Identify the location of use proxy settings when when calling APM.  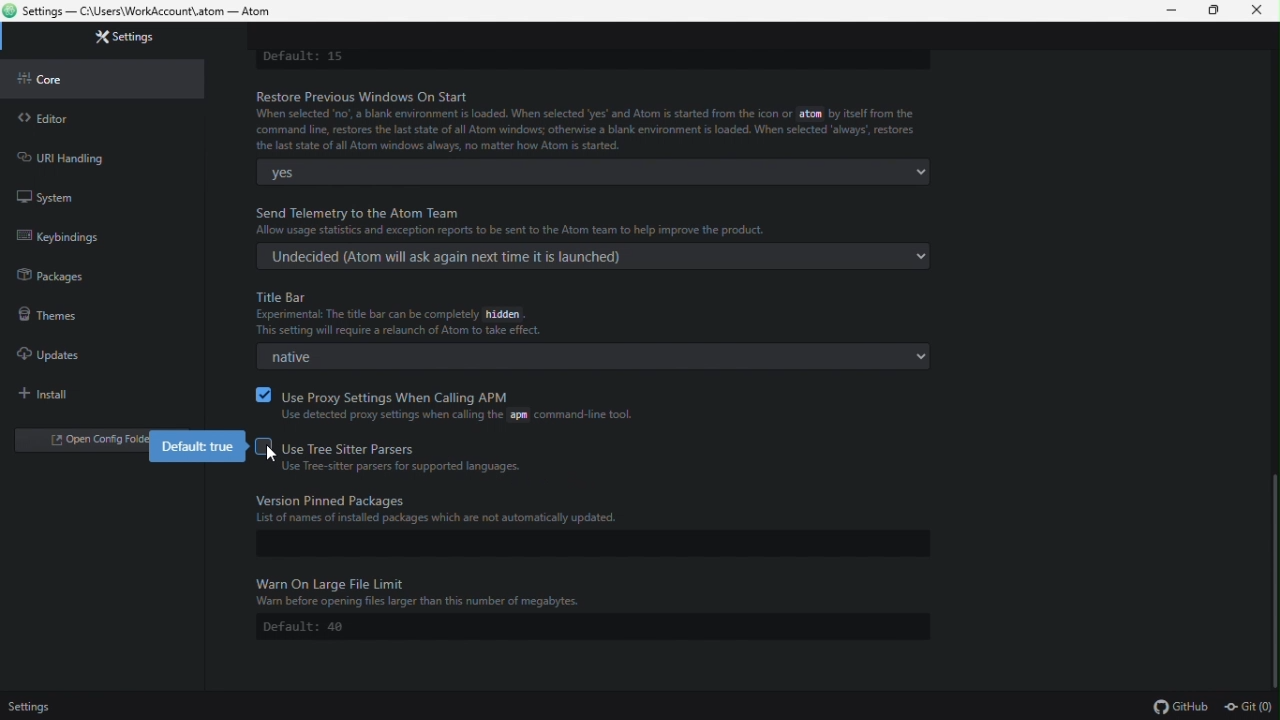
(462, 405).